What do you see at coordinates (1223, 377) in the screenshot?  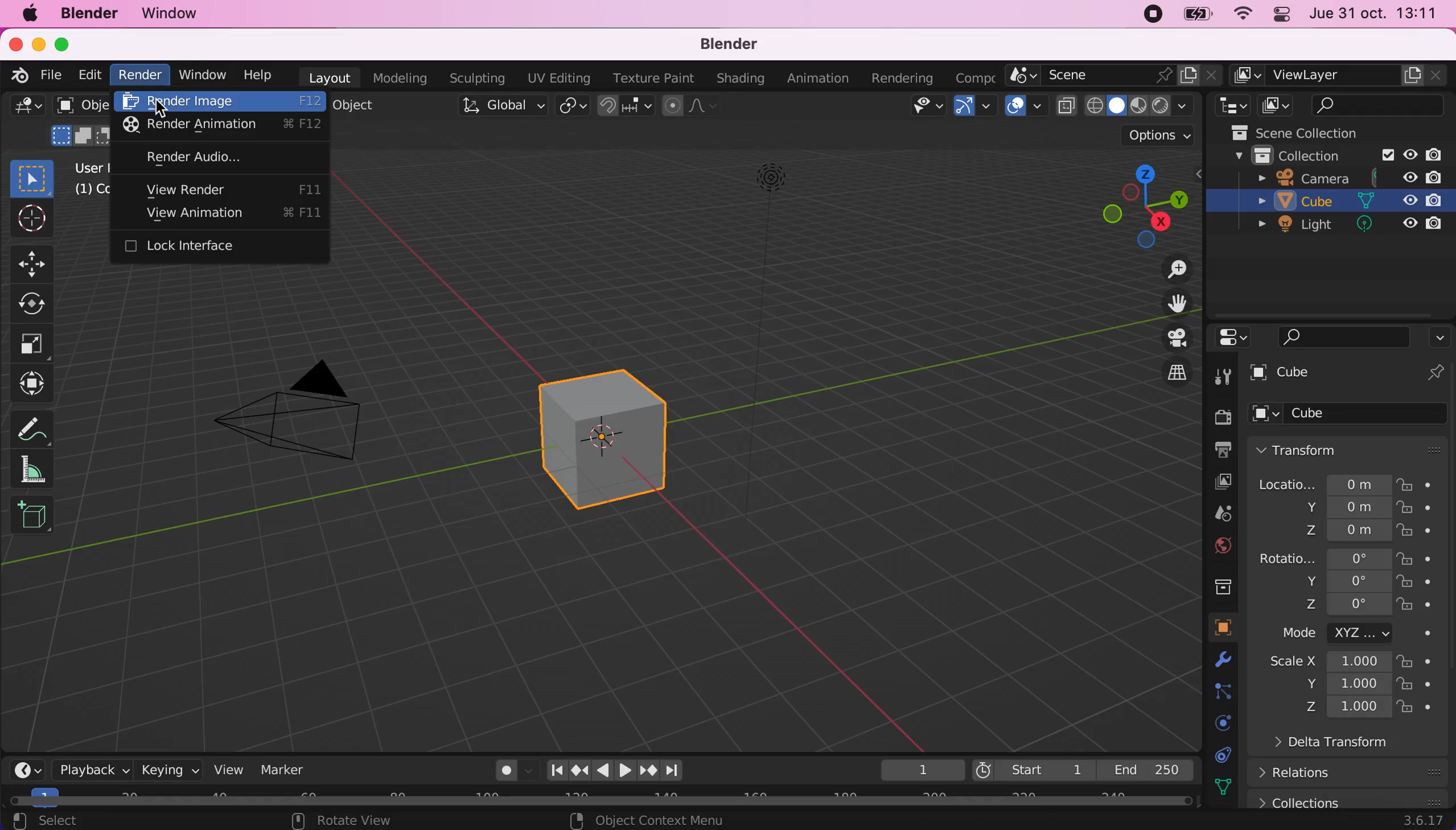 I see `tool` at bounding box center [1223, 377].